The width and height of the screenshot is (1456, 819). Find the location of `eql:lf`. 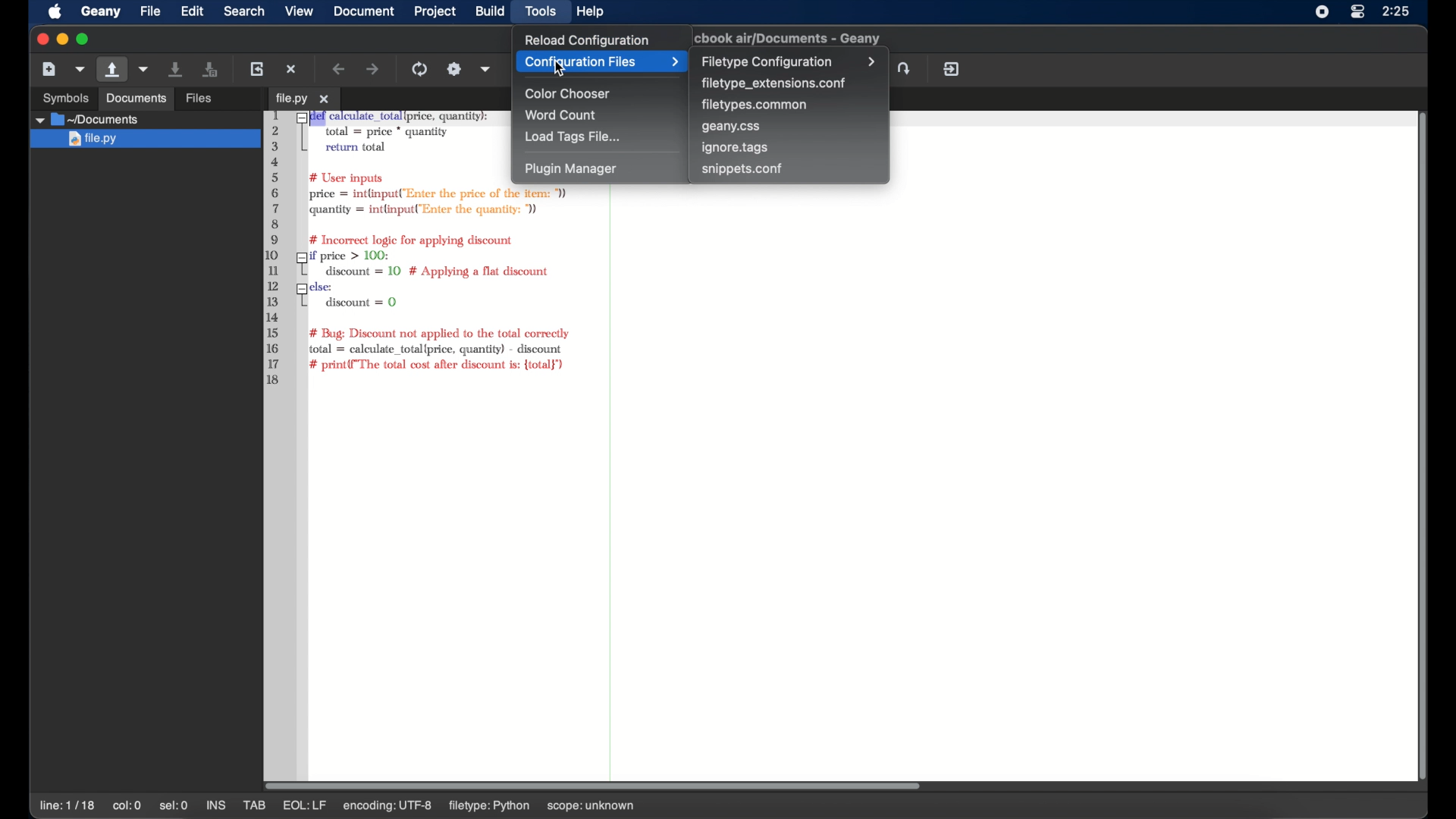

eql:lf is located at coordinates (350, 805).